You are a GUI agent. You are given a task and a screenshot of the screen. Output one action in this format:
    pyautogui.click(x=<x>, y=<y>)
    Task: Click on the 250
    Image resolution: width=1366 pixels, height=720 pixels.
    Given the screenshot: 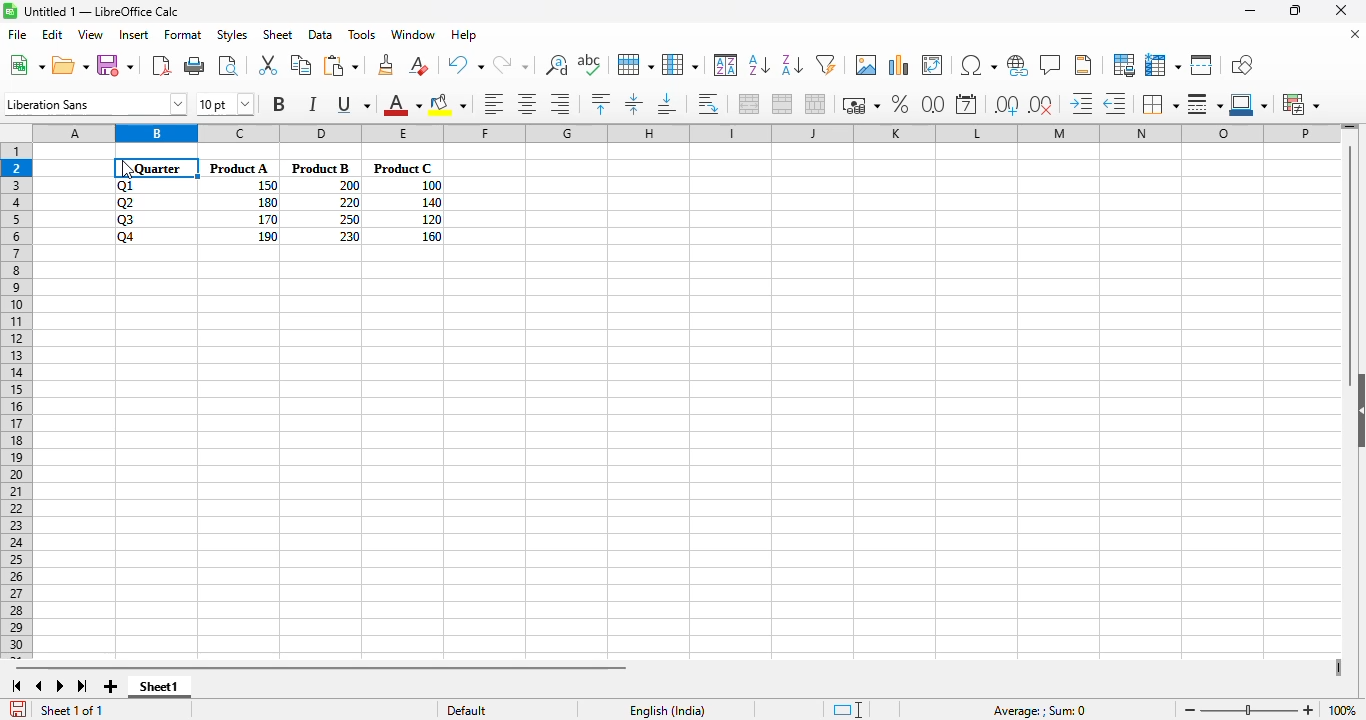 What is the action you would take?
    pyautogui.click(x=348, y=219)
    